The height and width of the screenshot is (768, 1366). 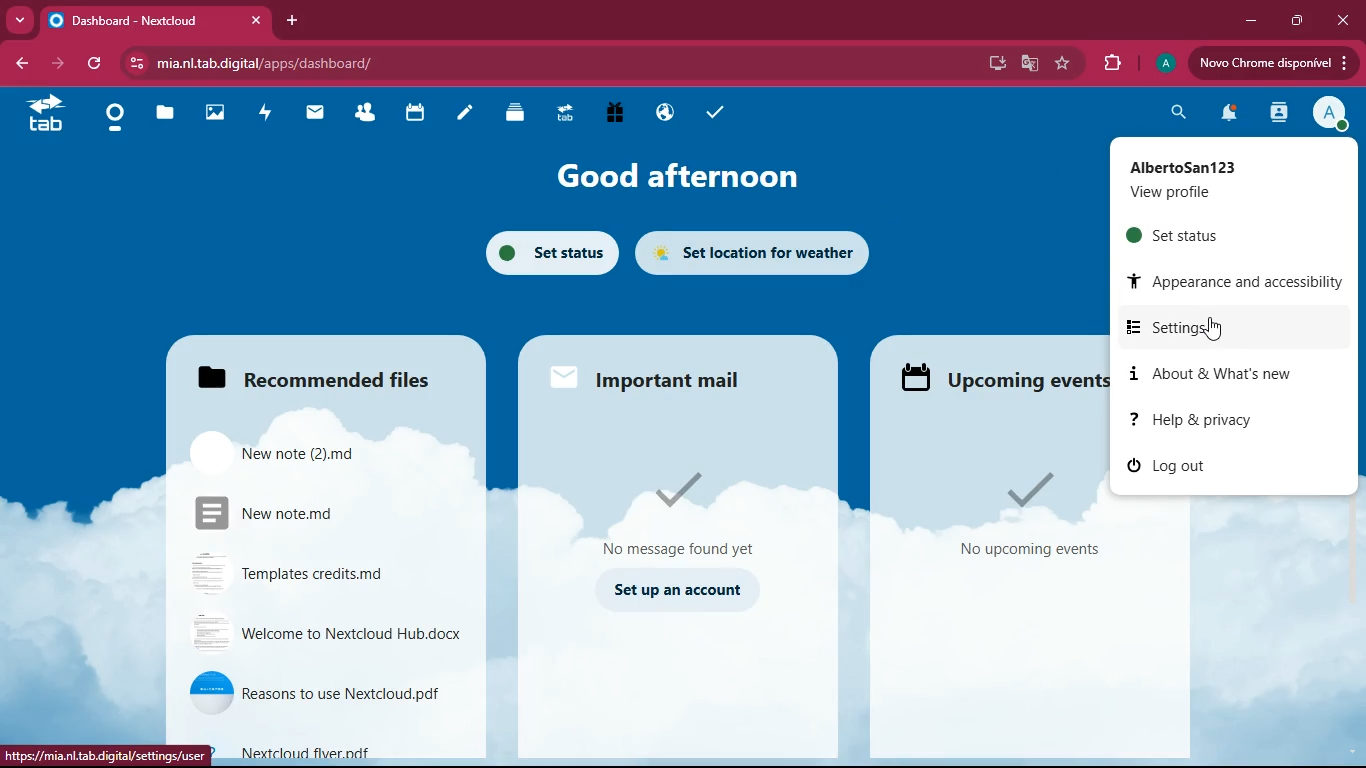 What do you see at coordinates (1346, 20) in the screenshot?
I see `close` at bounding box center [1346, 20].